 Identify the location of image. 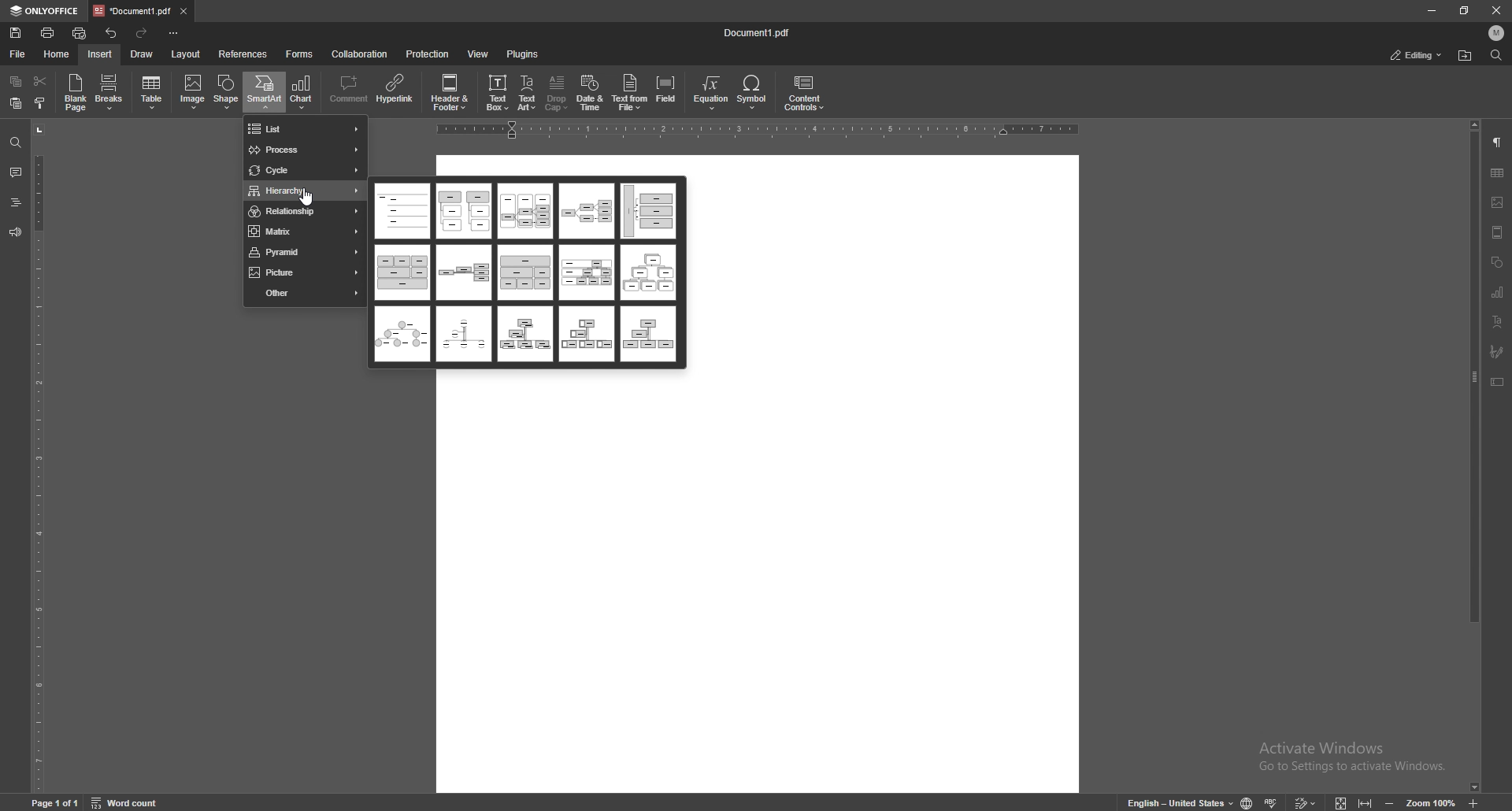
(192, 92).